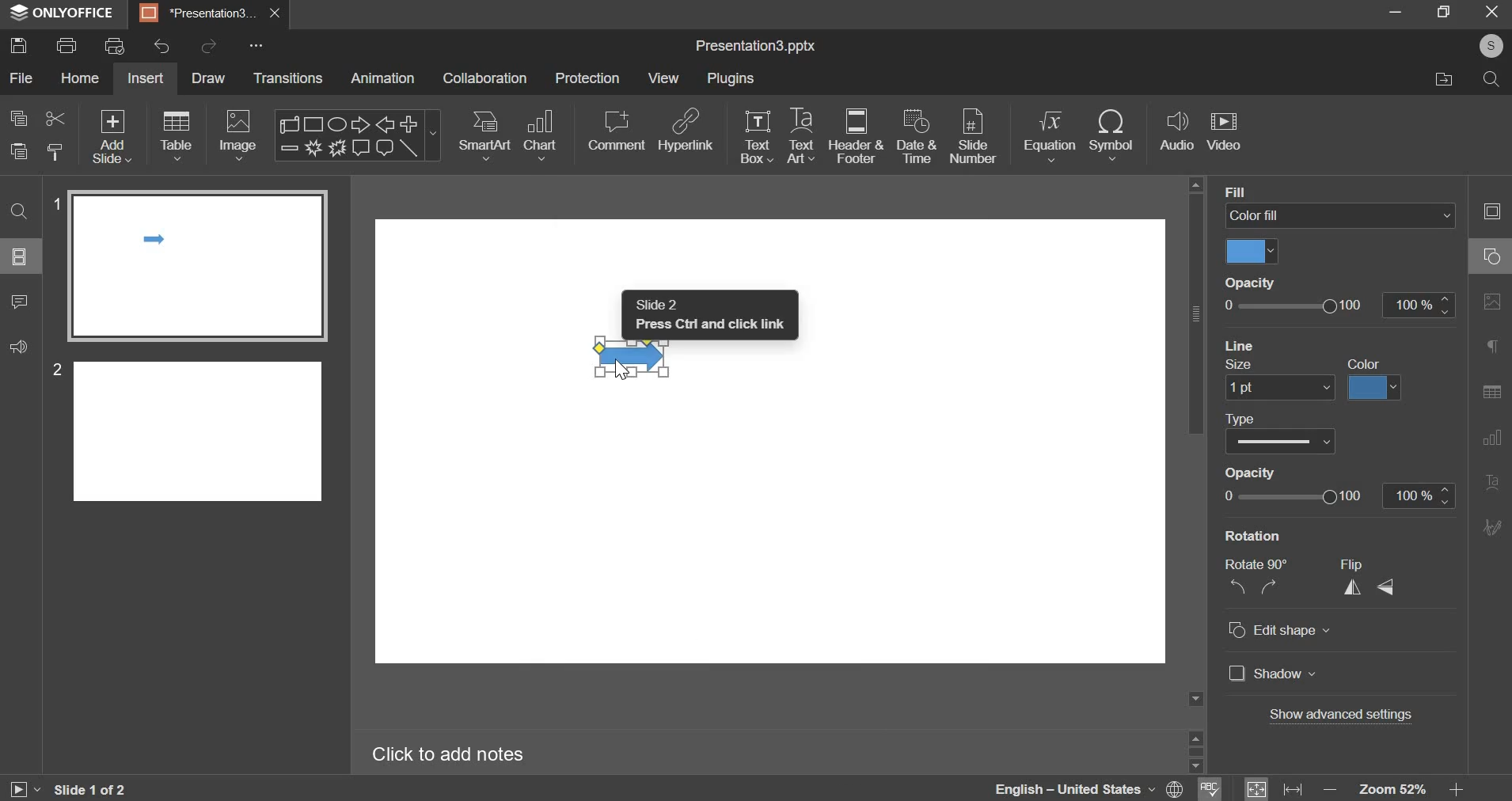 This screenshot has height=801, width=1512. I want to click on Opacity, so click(1250, 282).